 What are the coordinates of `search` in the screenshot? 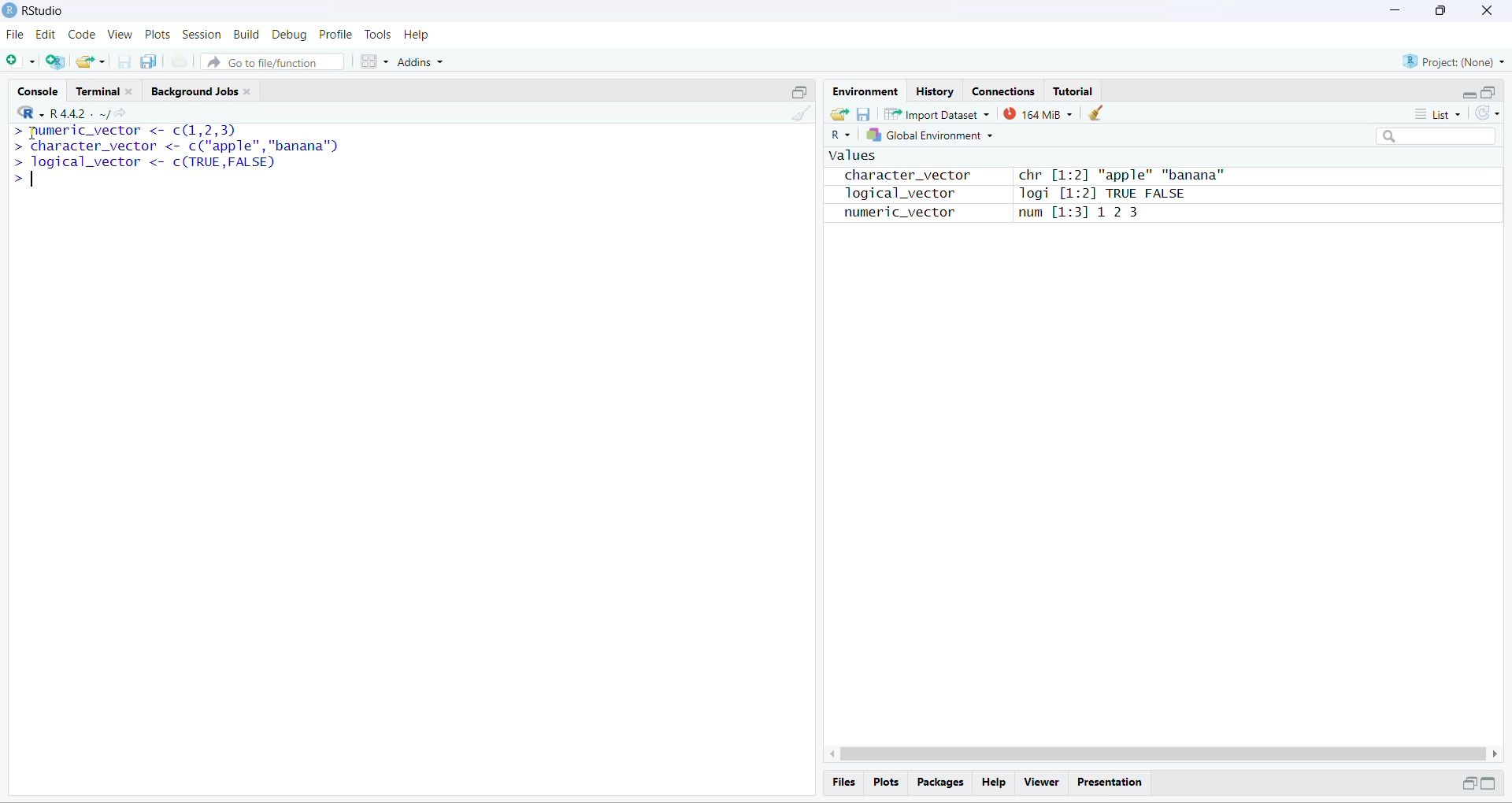 It's located at (1438, 137).